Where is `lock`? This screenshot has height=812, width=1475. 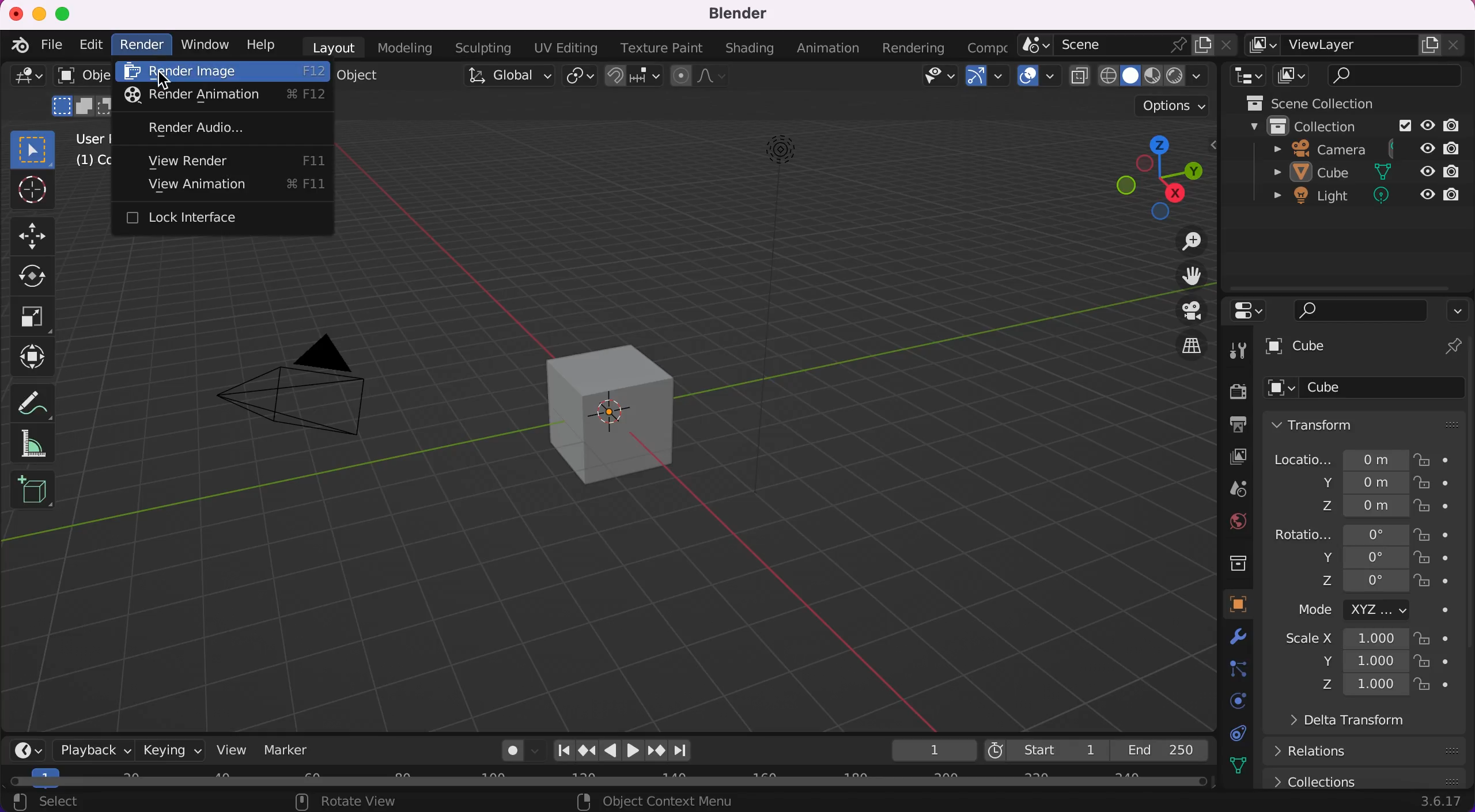
lock is located at coordinates (1436, 582).